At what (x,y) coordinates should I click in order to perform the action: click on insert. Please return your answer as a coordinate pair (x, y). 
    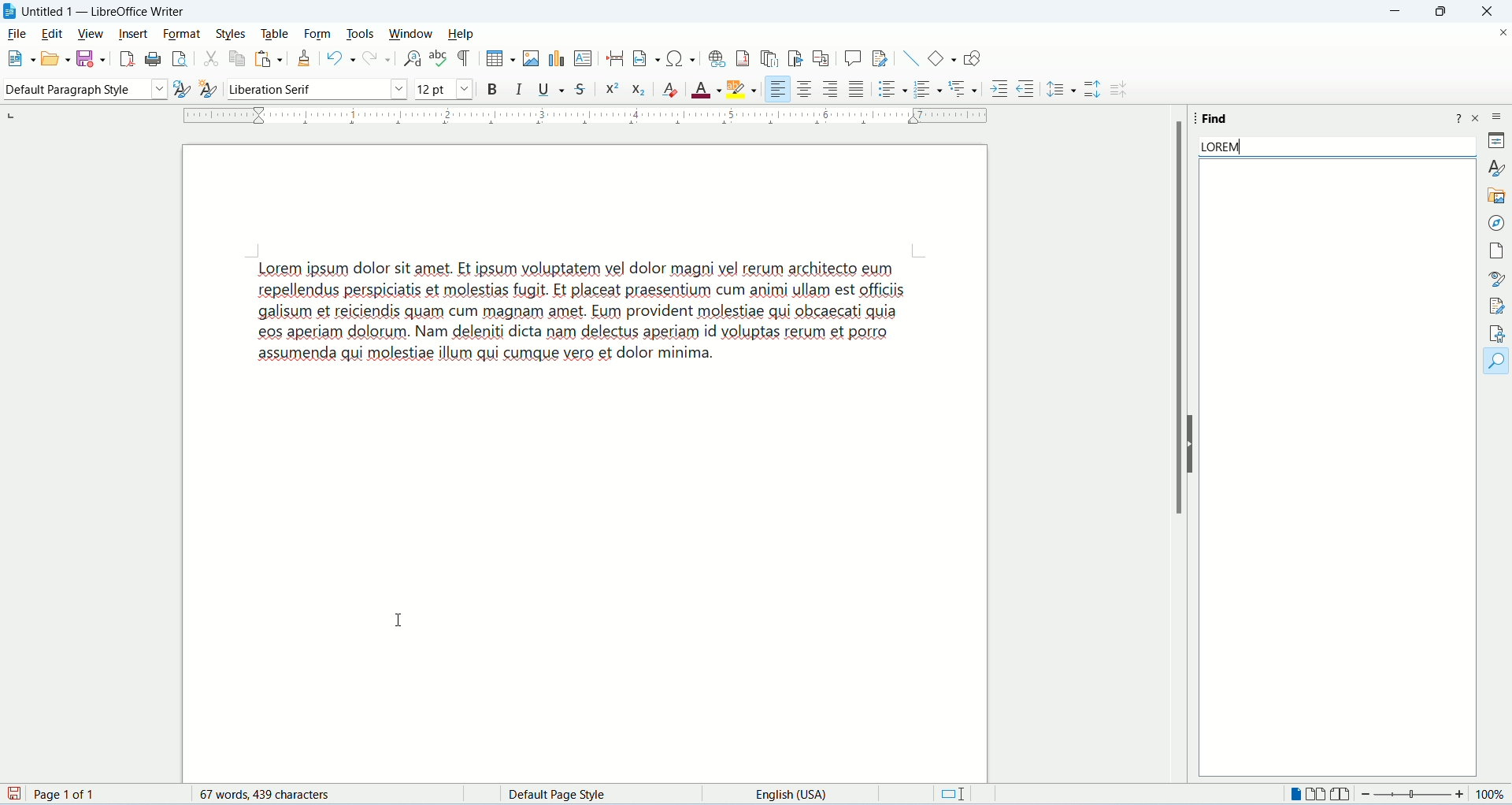
    Looking at the image, I should click on (134, 34).